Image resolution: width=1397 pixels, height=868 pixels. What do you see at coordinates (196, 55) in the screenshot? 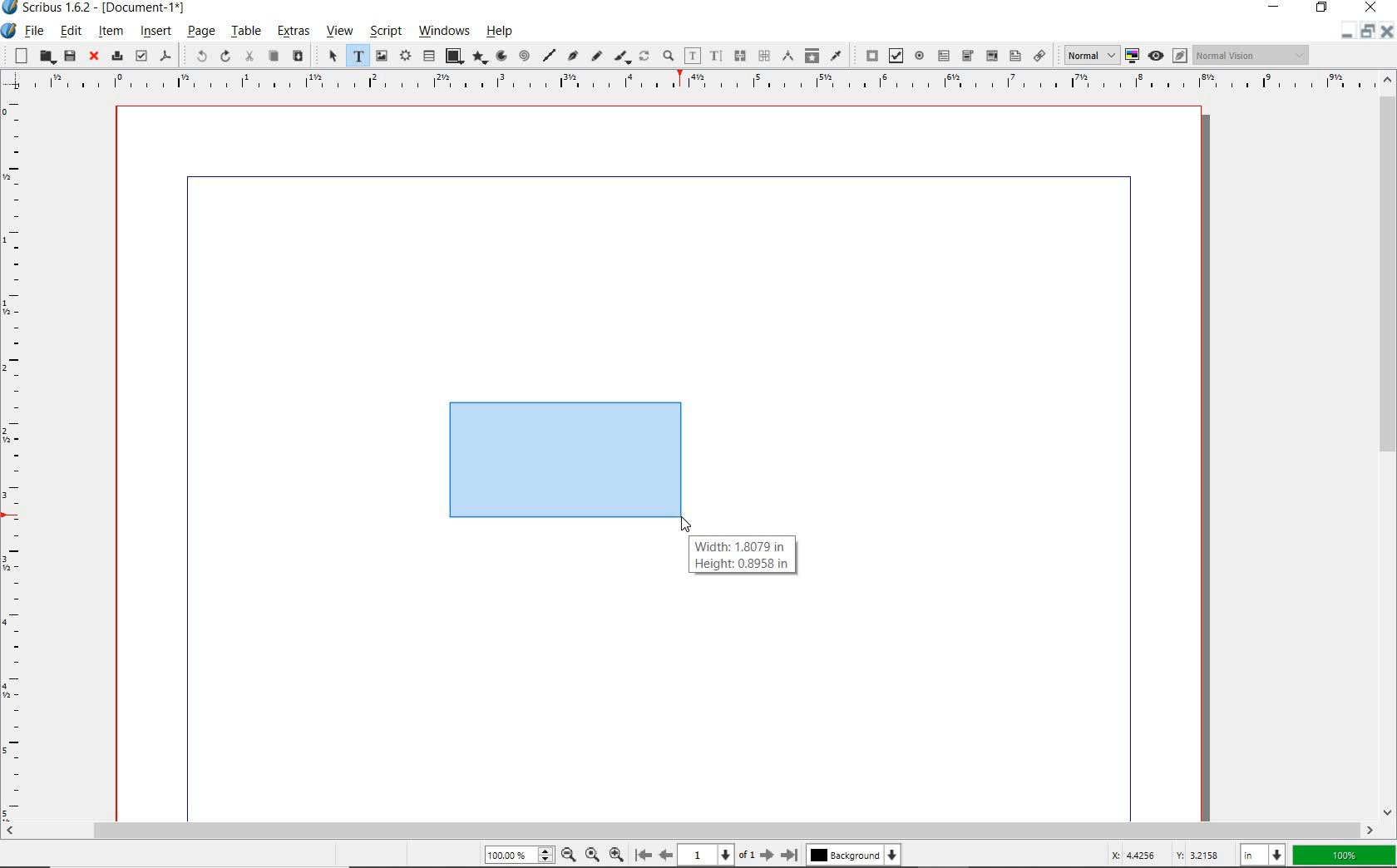
I see `undo` at bounding box center [196, 55].